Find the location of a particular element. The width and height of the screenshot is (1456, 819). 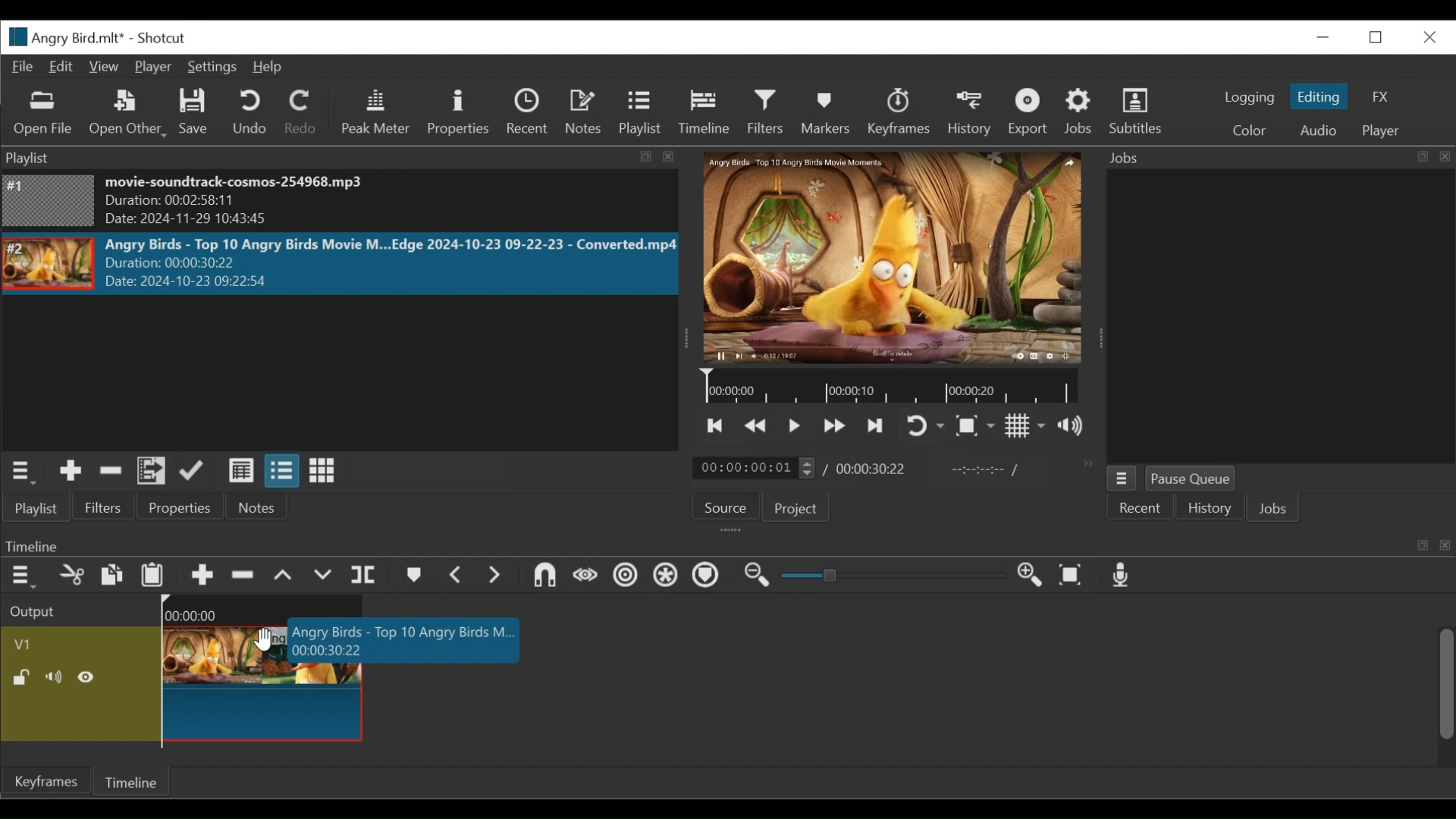

Exort is located at coordinates (1030, 113).